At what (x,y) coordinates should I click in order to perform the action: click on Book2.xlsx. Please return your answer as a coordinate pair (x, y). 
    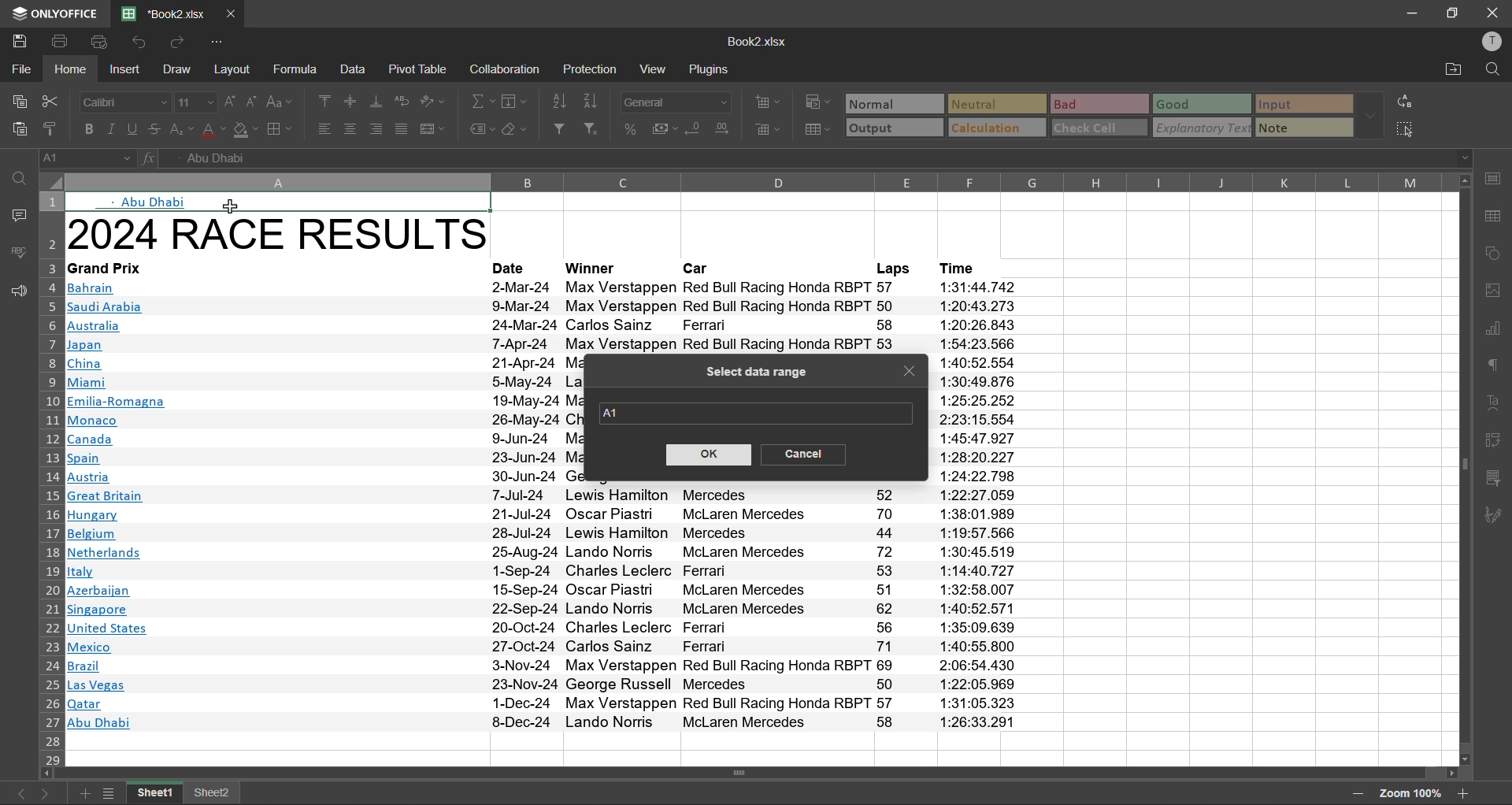
    Looking at the image, I should click on (755, 43).